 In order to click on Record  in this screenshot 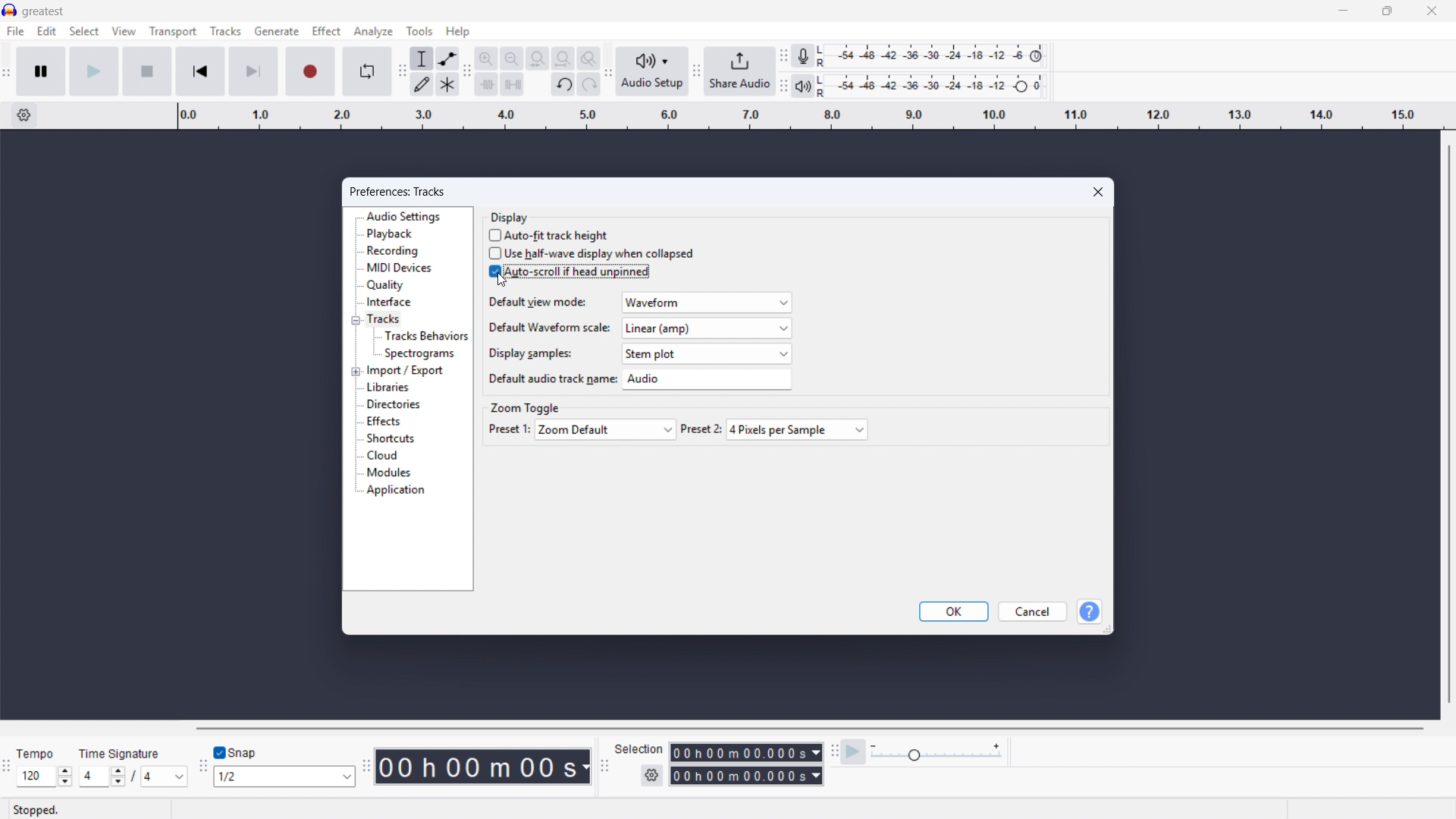, I will do `click(309, 71)`.